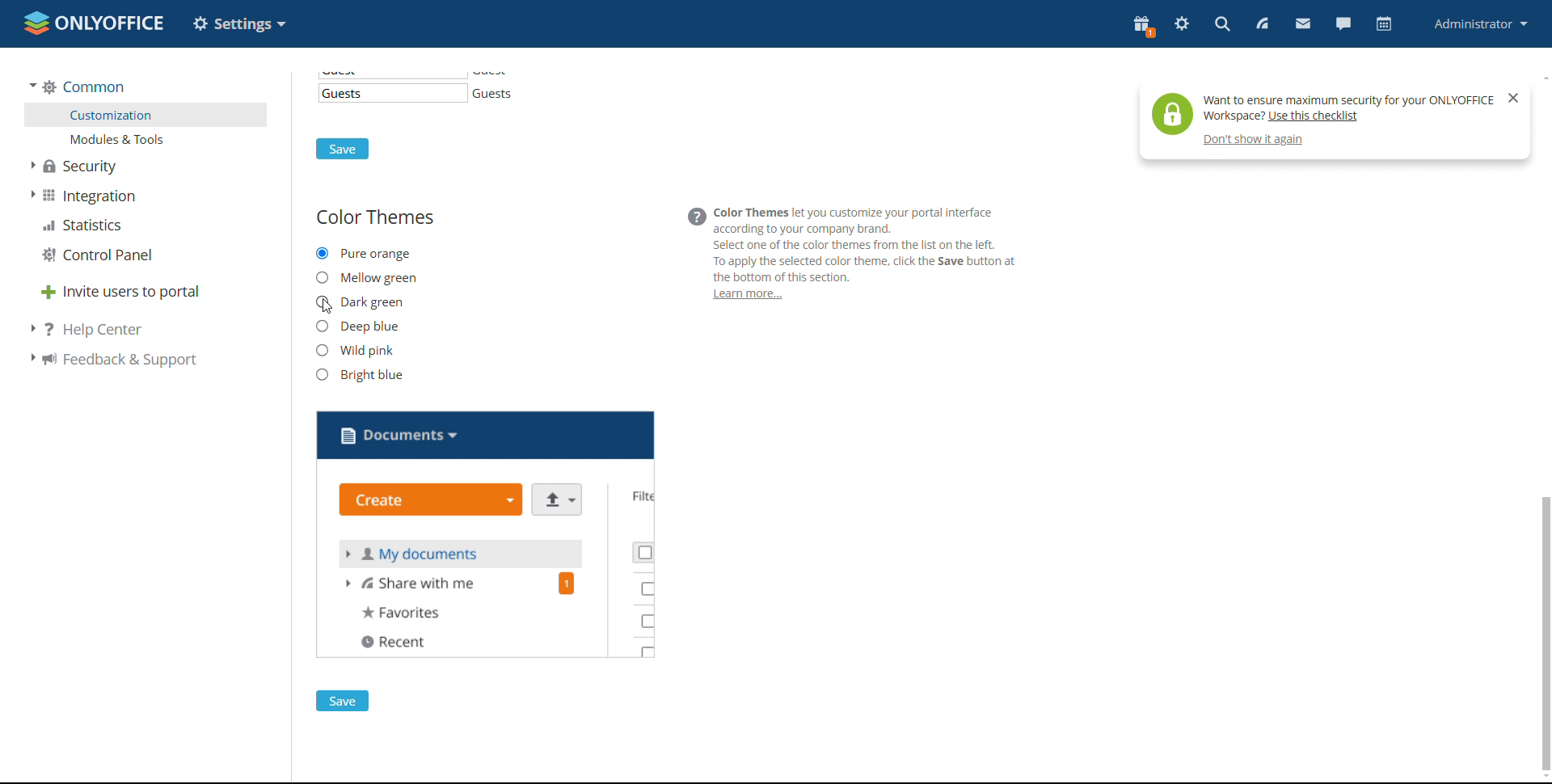 This screenshot has height=784, width=1552. What do you see at coordinates (1255, 141) in the screenshot?
I see `don't show again` at bounding box center [1255, 141].